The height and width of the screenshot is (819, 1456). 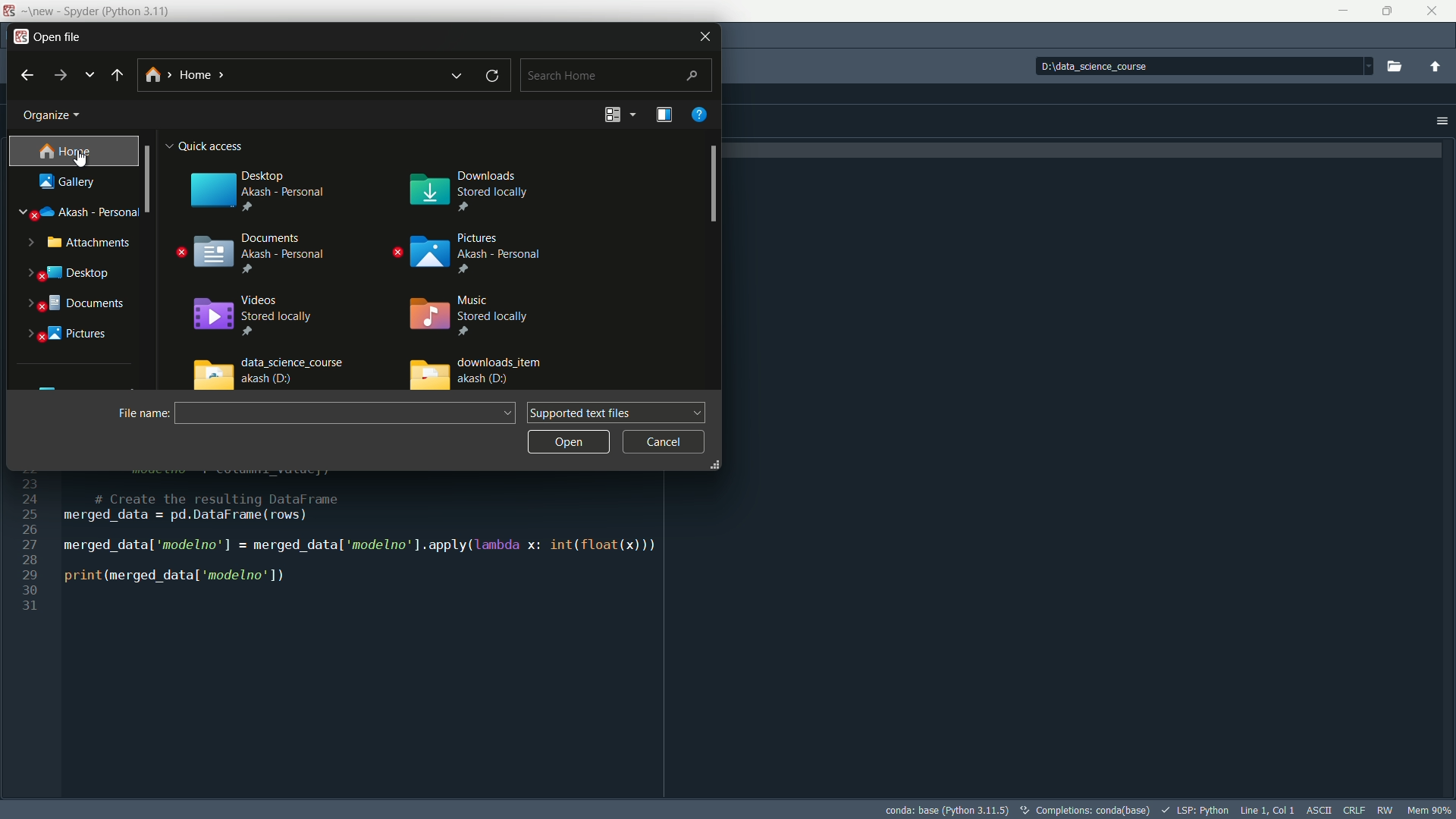 What do you see at coordinates (1385, 811) in the screenshot?
I see `rw` at bounding box center [1385, 811].